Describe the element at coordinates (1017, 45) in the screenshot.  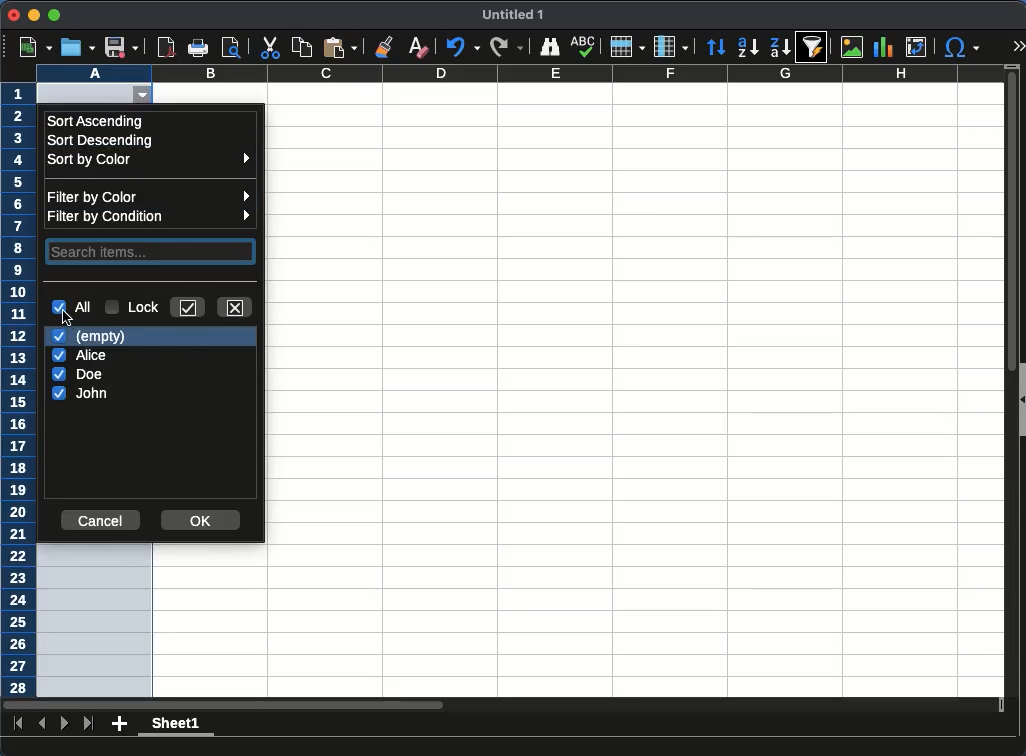
I see `expand` at that location.